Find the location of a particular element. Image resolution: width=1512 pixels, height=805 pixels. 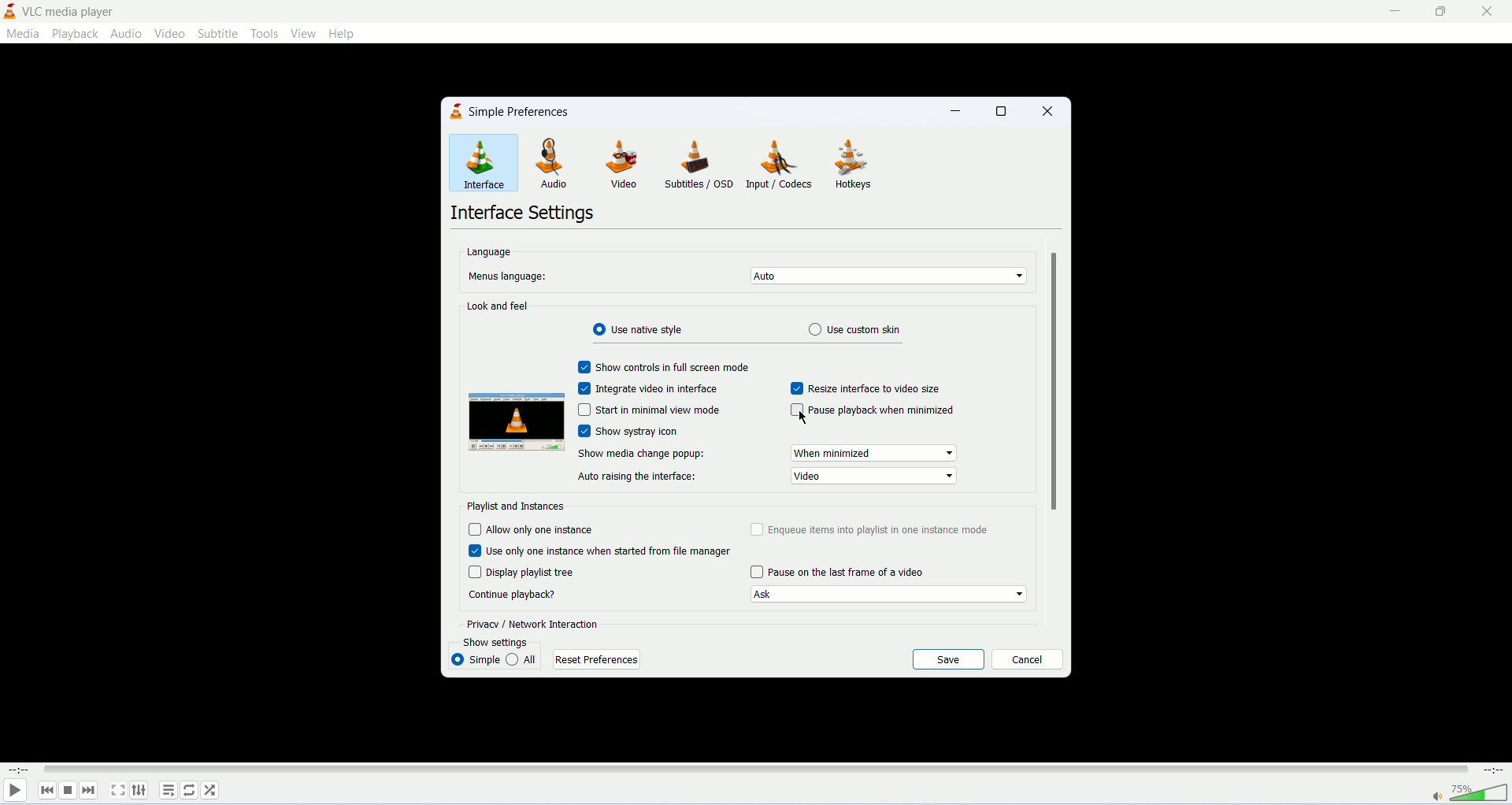

menu language is located at coordinates (518, 276).